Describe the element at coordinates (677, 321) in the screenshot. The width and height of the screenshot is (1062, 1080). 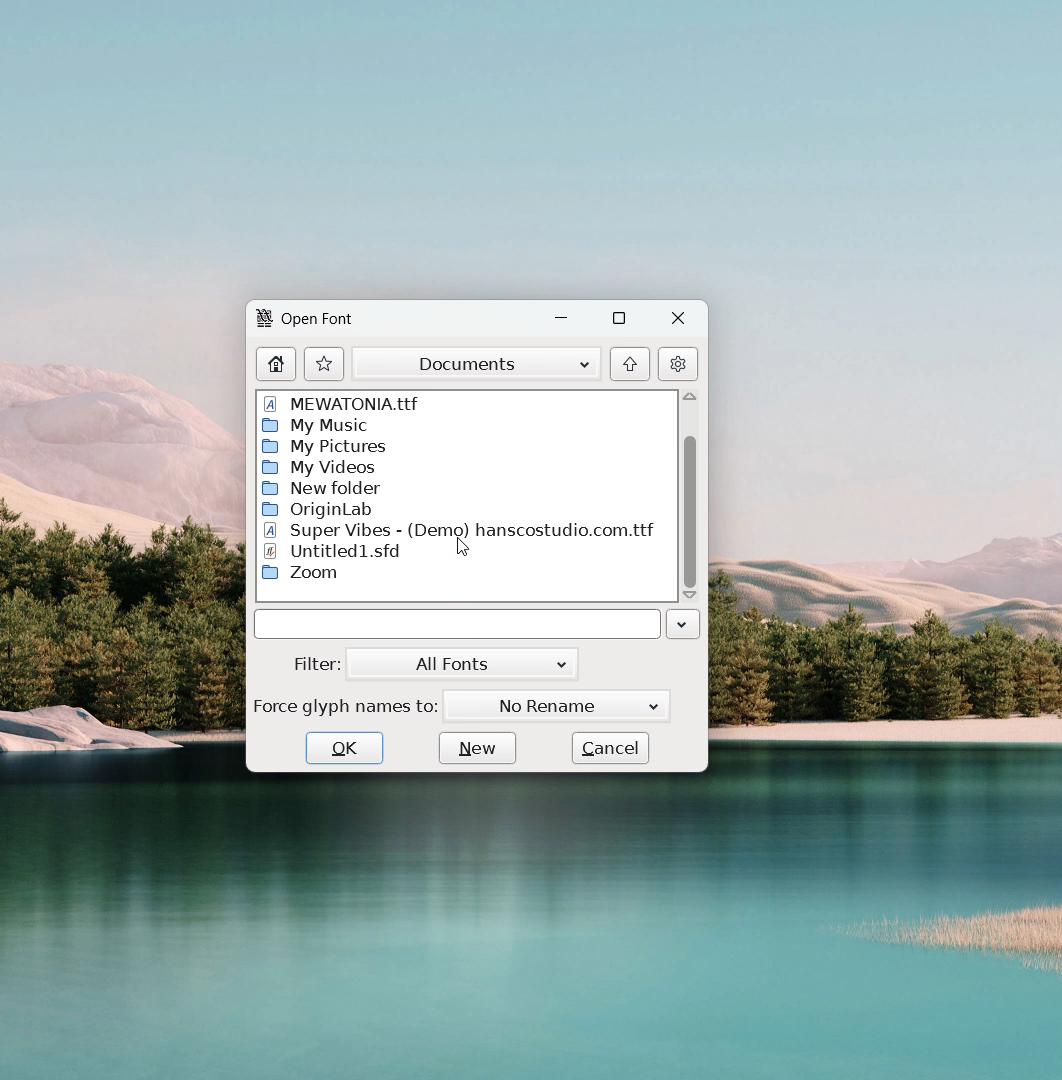
I see `close` at that location.